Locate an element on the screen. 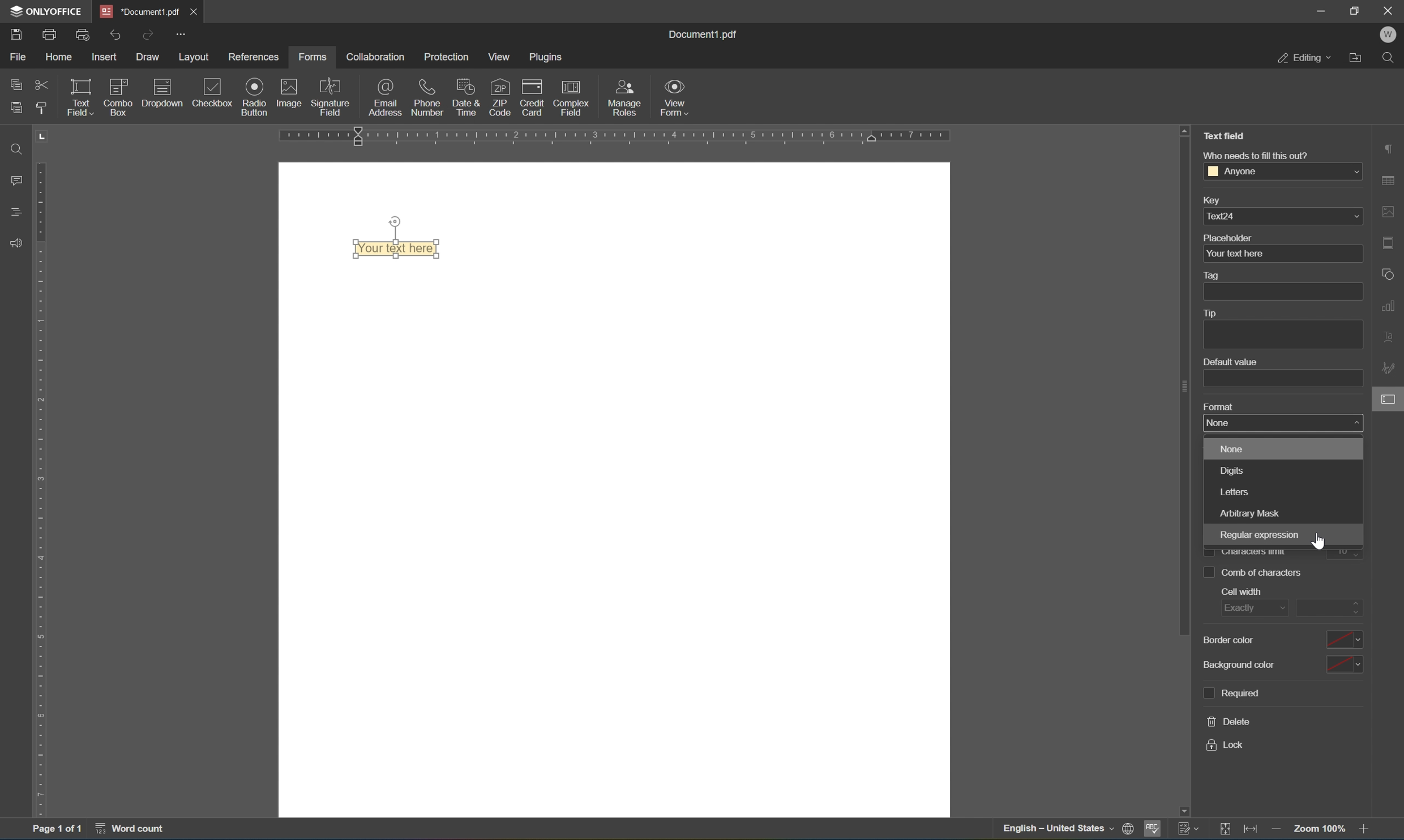 The height and width of the screenshot is (840, 1404). ONLYOFFICE is located at coordinates (46, 11).